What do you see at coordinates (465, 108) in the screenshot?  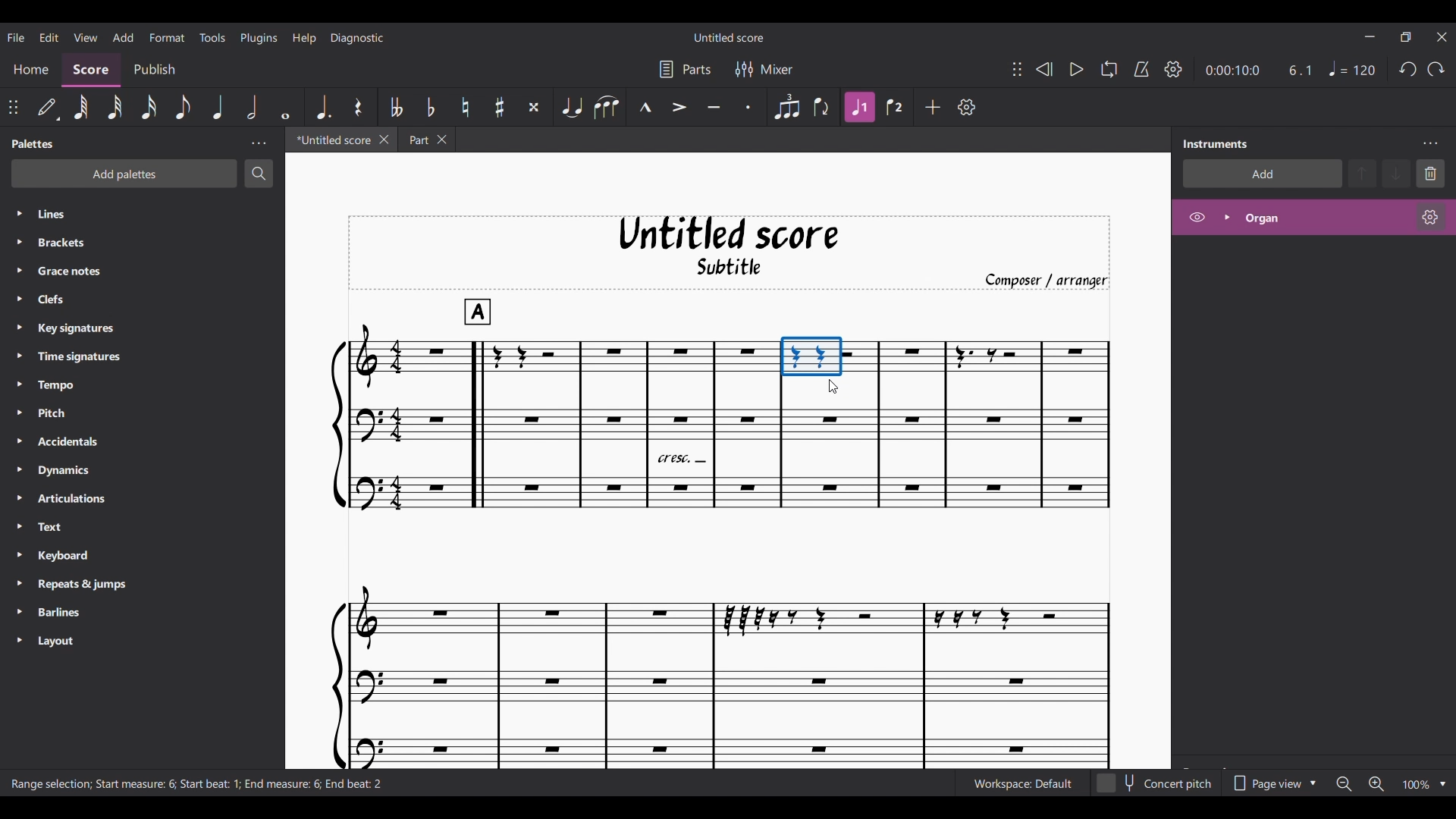 I see `Toggle natural` at bounding box center [465, 108].